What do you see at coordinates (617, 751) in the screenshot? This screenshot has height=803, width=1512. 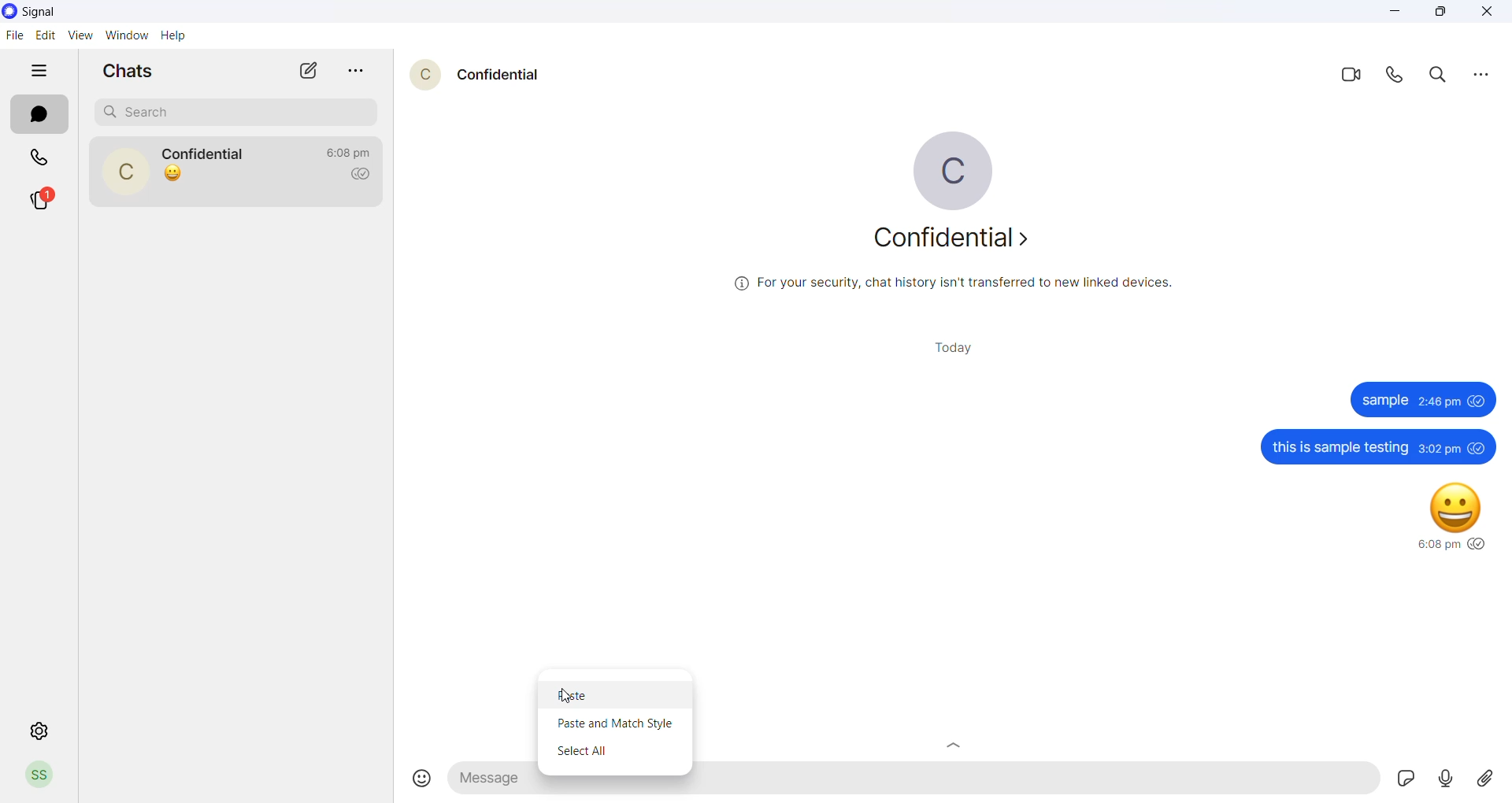 I see `select all` at bounding box center [617, 751].